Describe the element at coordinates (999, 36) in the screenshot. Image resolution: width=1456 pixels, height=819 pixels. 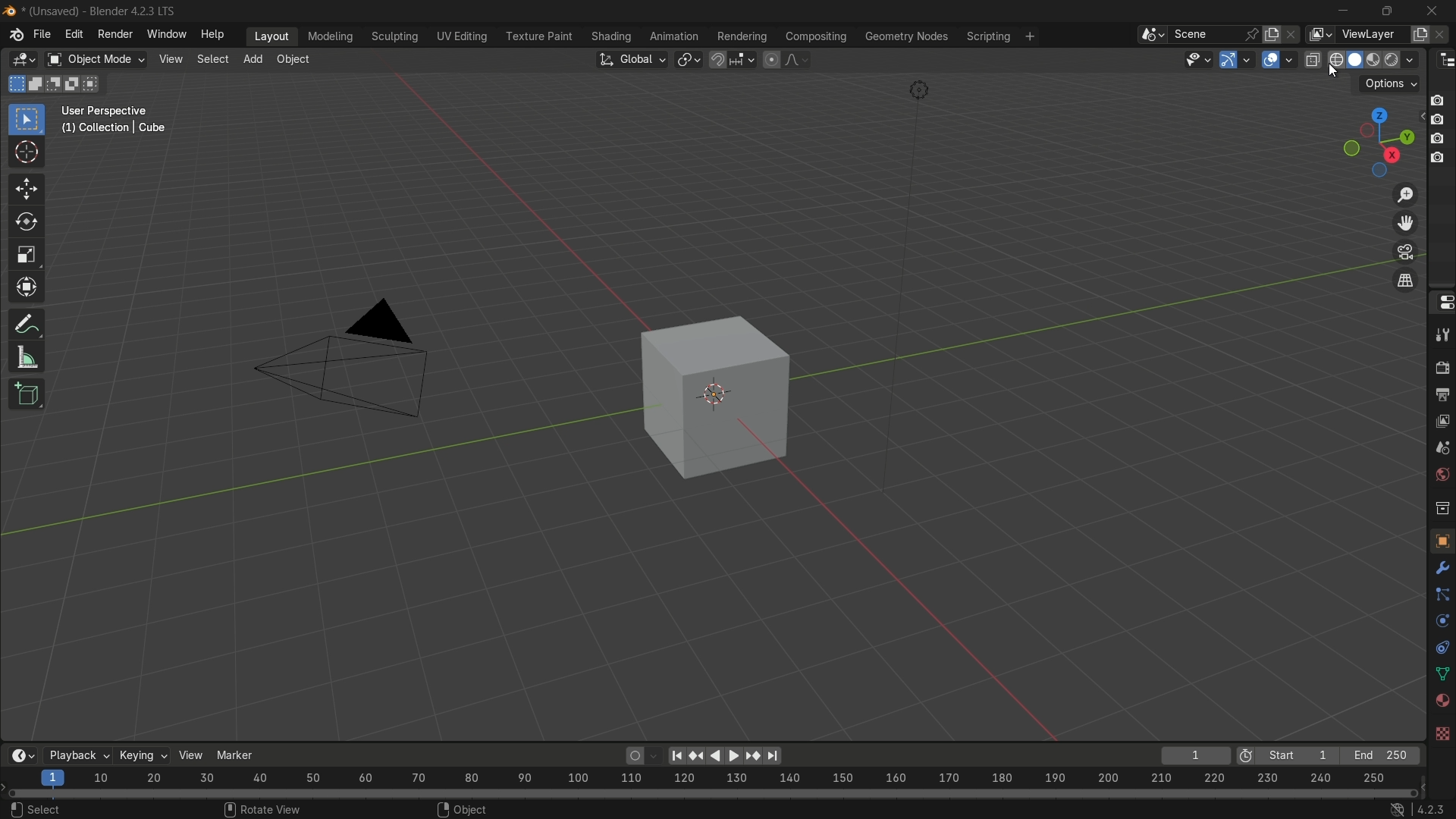
I see `scripting menu` at that location.